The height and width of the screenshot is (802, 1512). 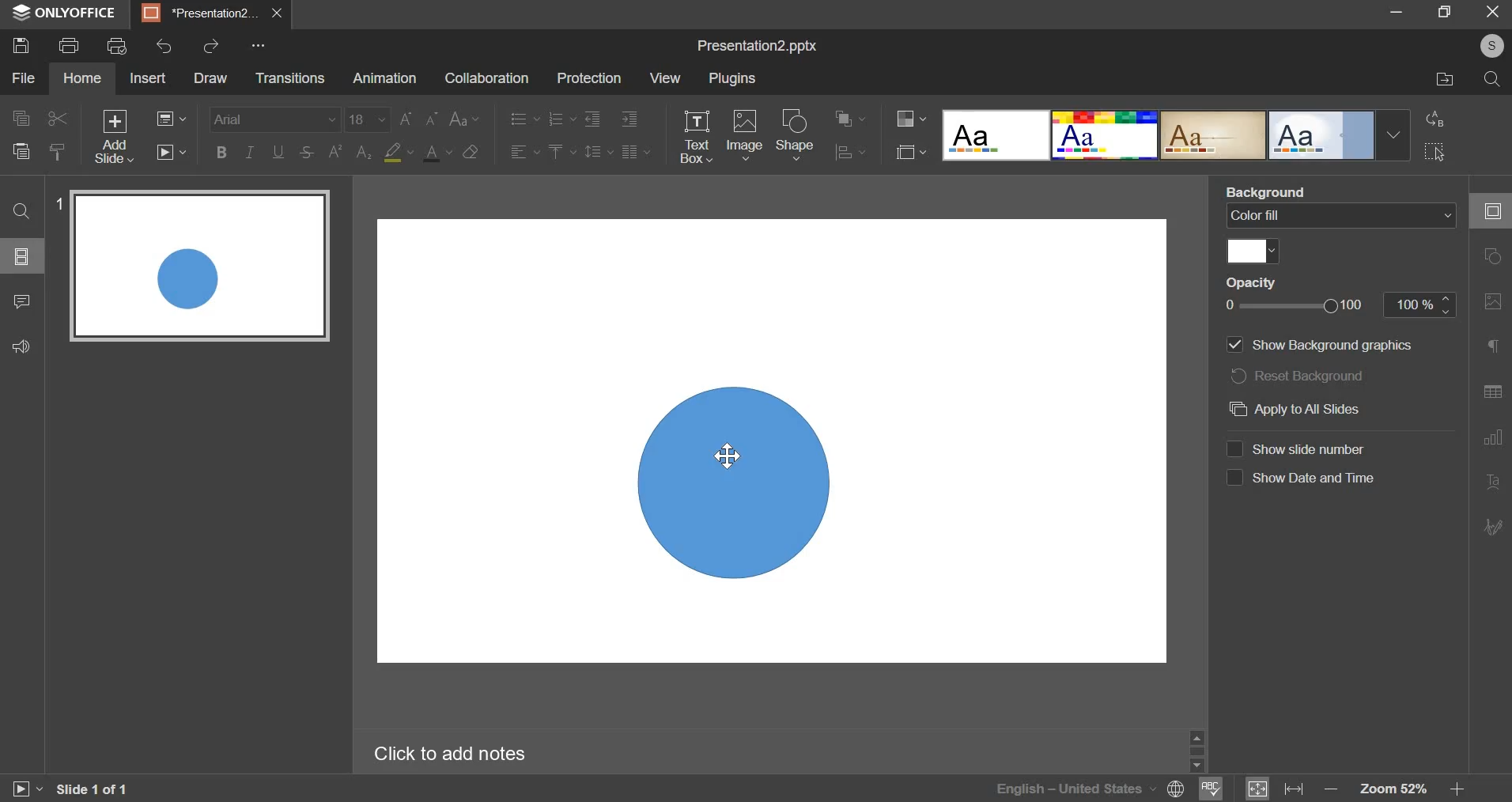 What do you see at coordinates (277, 151) in the screenshot?
I see `` at bounding box center [277, 151].